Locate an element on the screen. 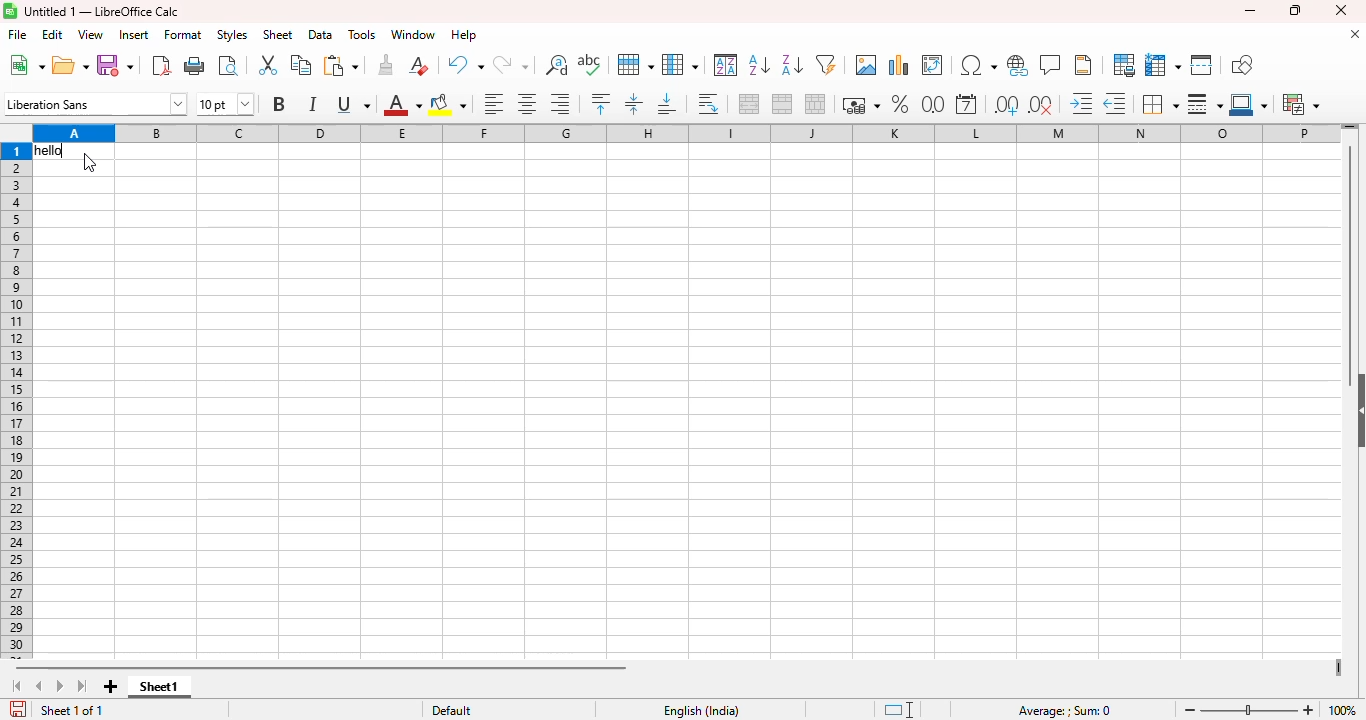  freeze rows and columns is located at coordinates (1164, 66).